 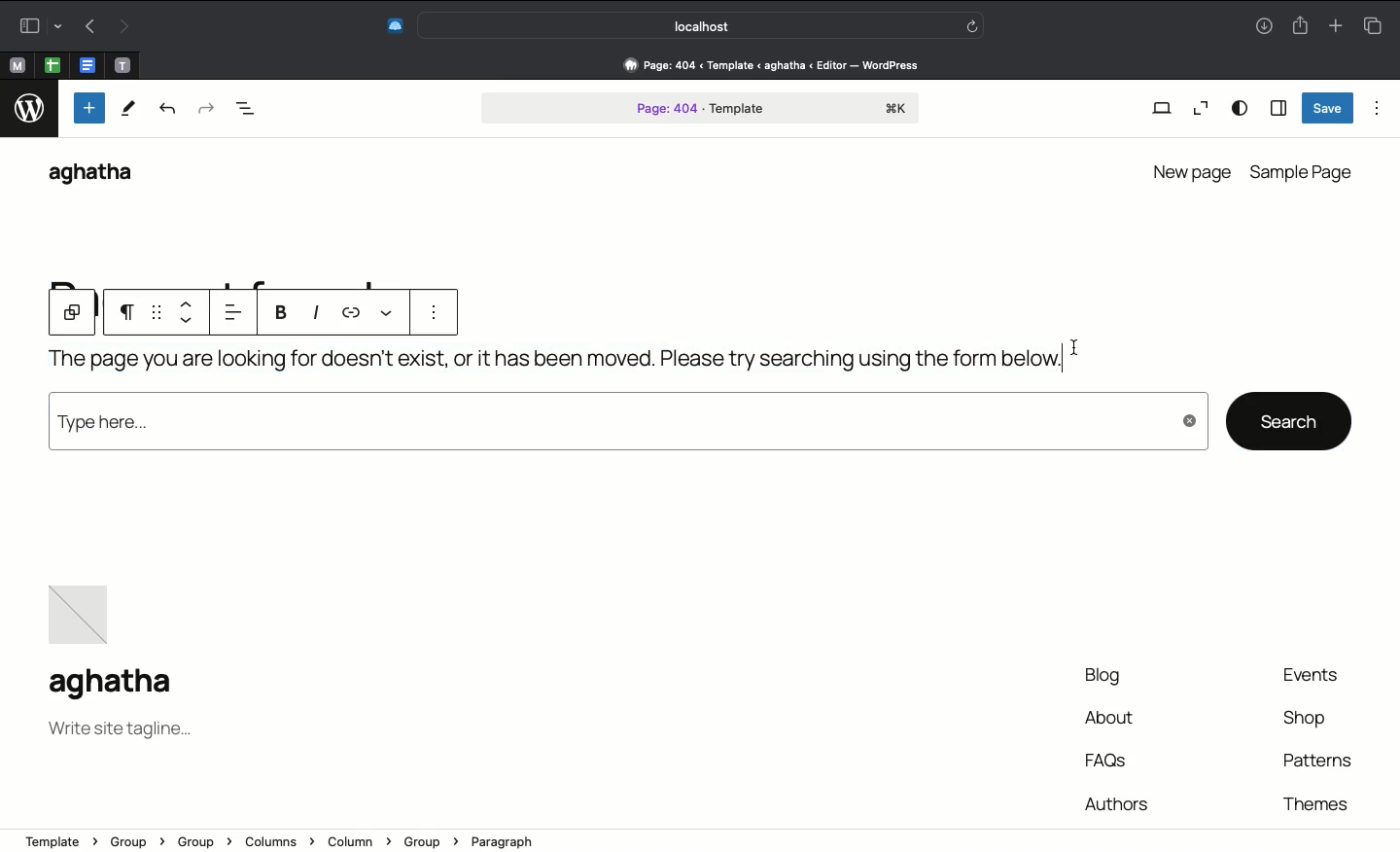 I want to click on open tab, google docs, so click(x=86, y=66).